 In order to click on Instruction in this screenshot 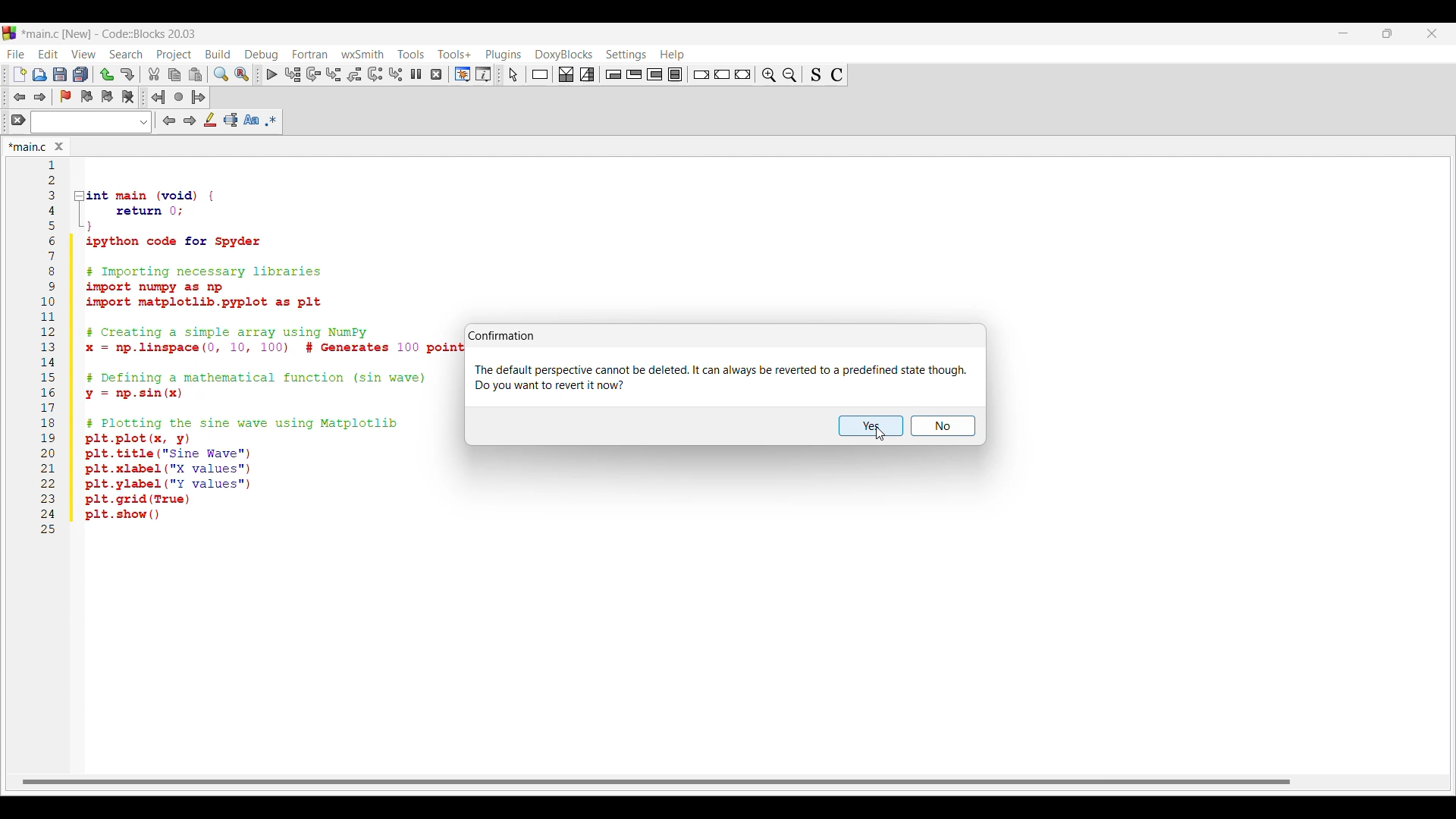, I will do `click(540, 74)`.